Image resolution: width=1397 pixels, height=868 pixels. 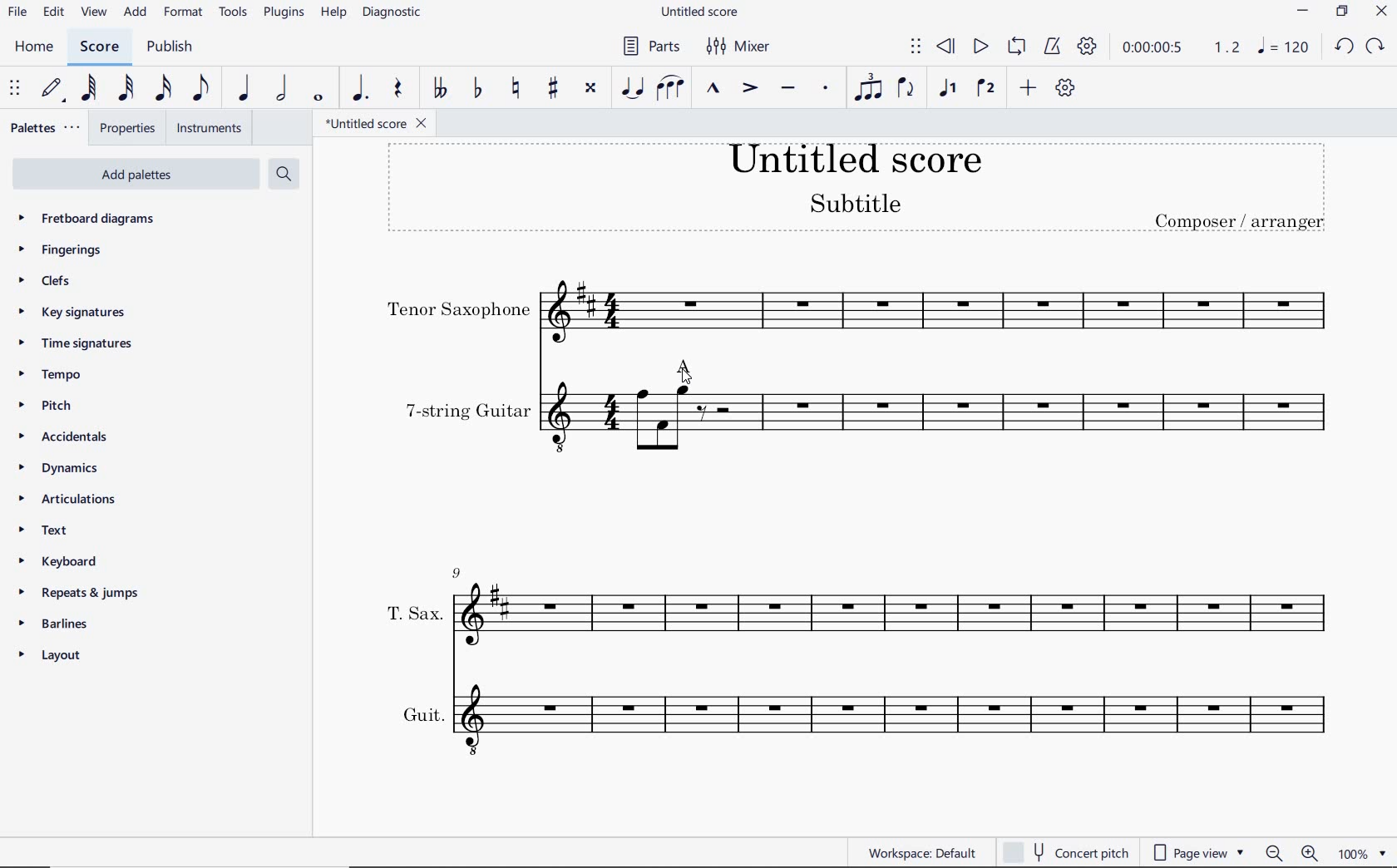 What do you see at coordinates (1301, 12) in the screenshot?
I see `MINIMIZE` at bounding box center [1301, 12].